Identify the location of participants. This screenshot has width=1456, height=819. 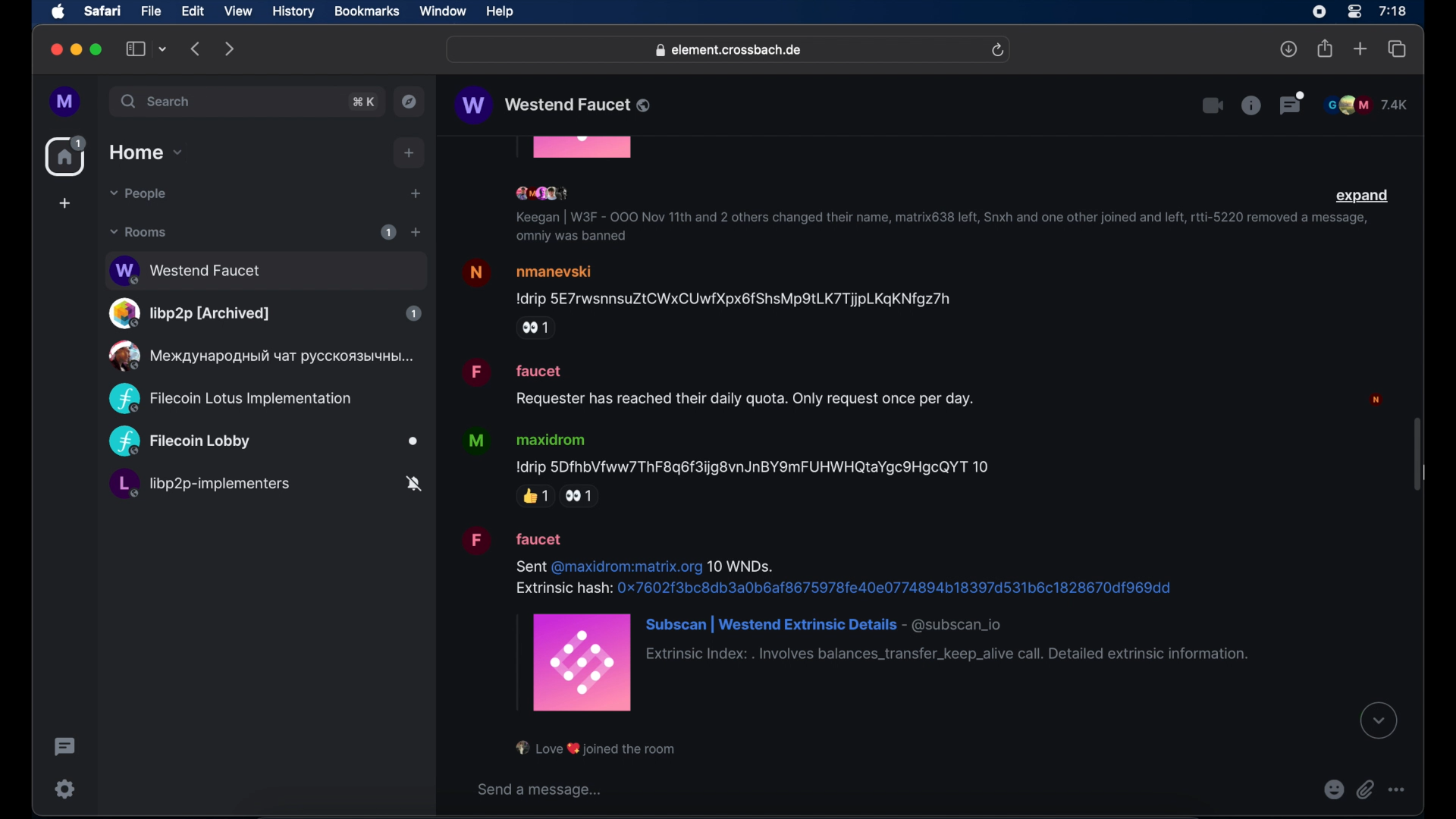
(545, 194).